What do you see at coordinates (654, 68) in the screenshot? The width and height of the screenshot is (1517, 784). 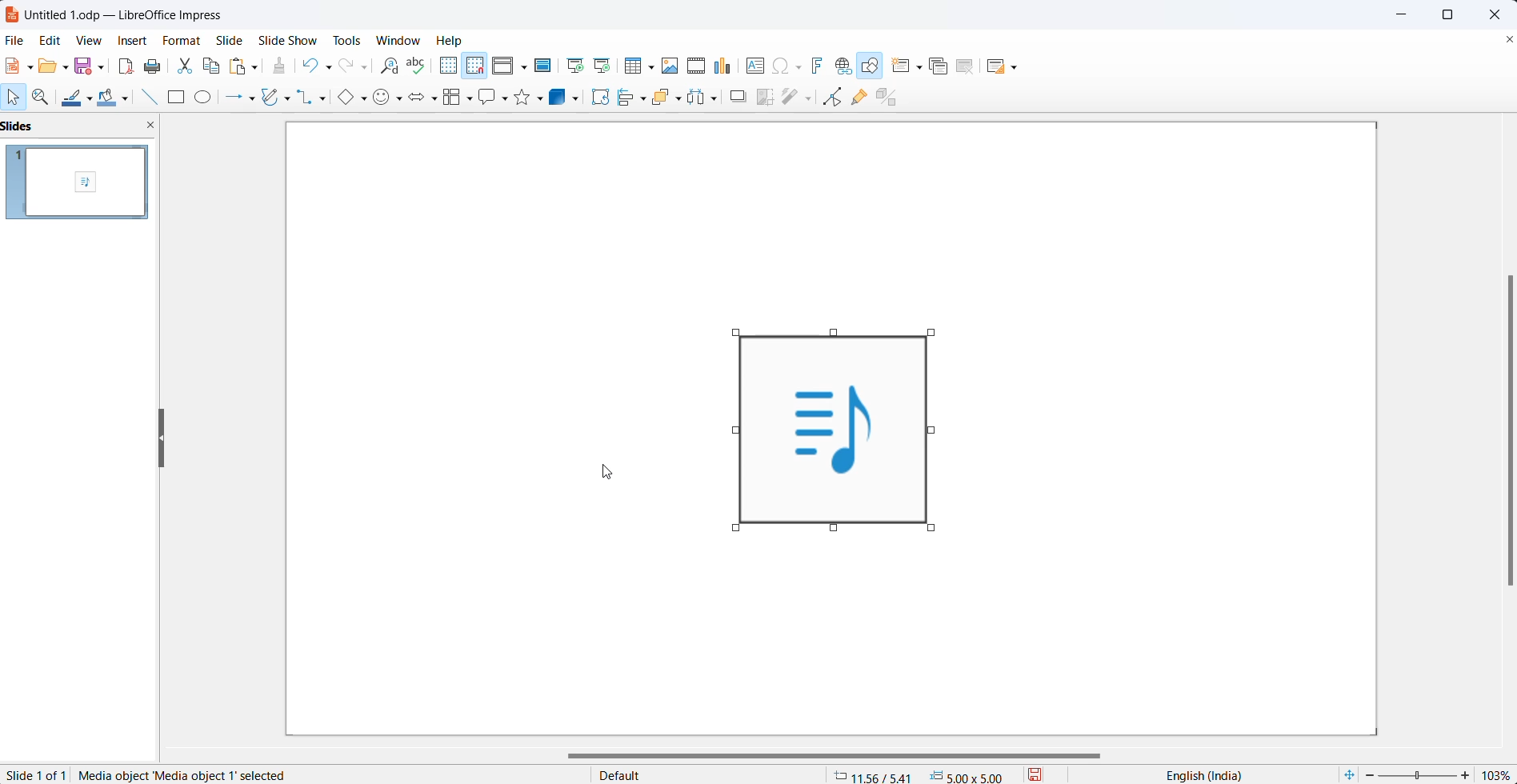 I see `table grid` at bounding box center [654, 68].